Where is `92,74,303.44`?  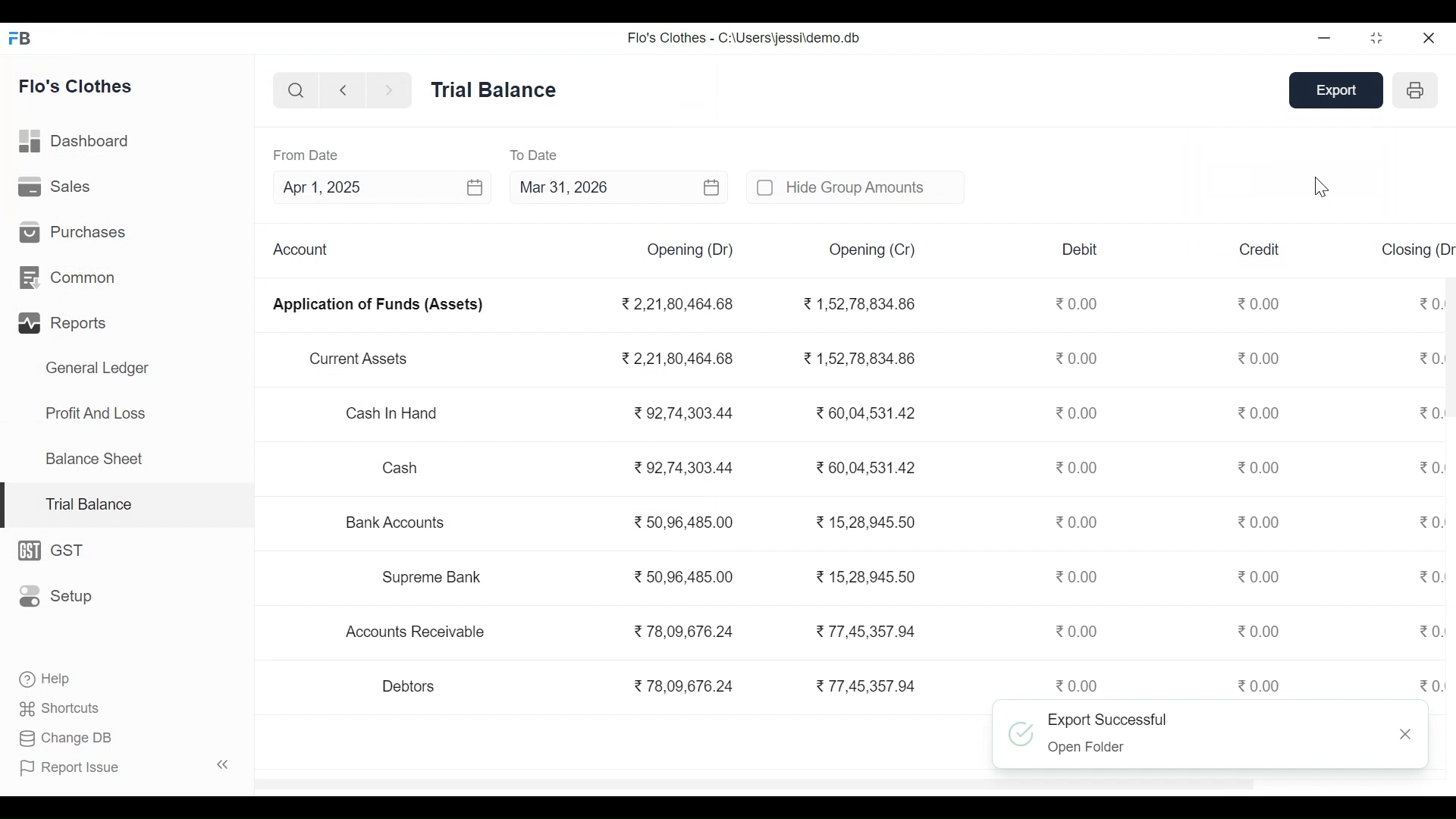 92,74,303.44 is located at coordinates (682, 413).